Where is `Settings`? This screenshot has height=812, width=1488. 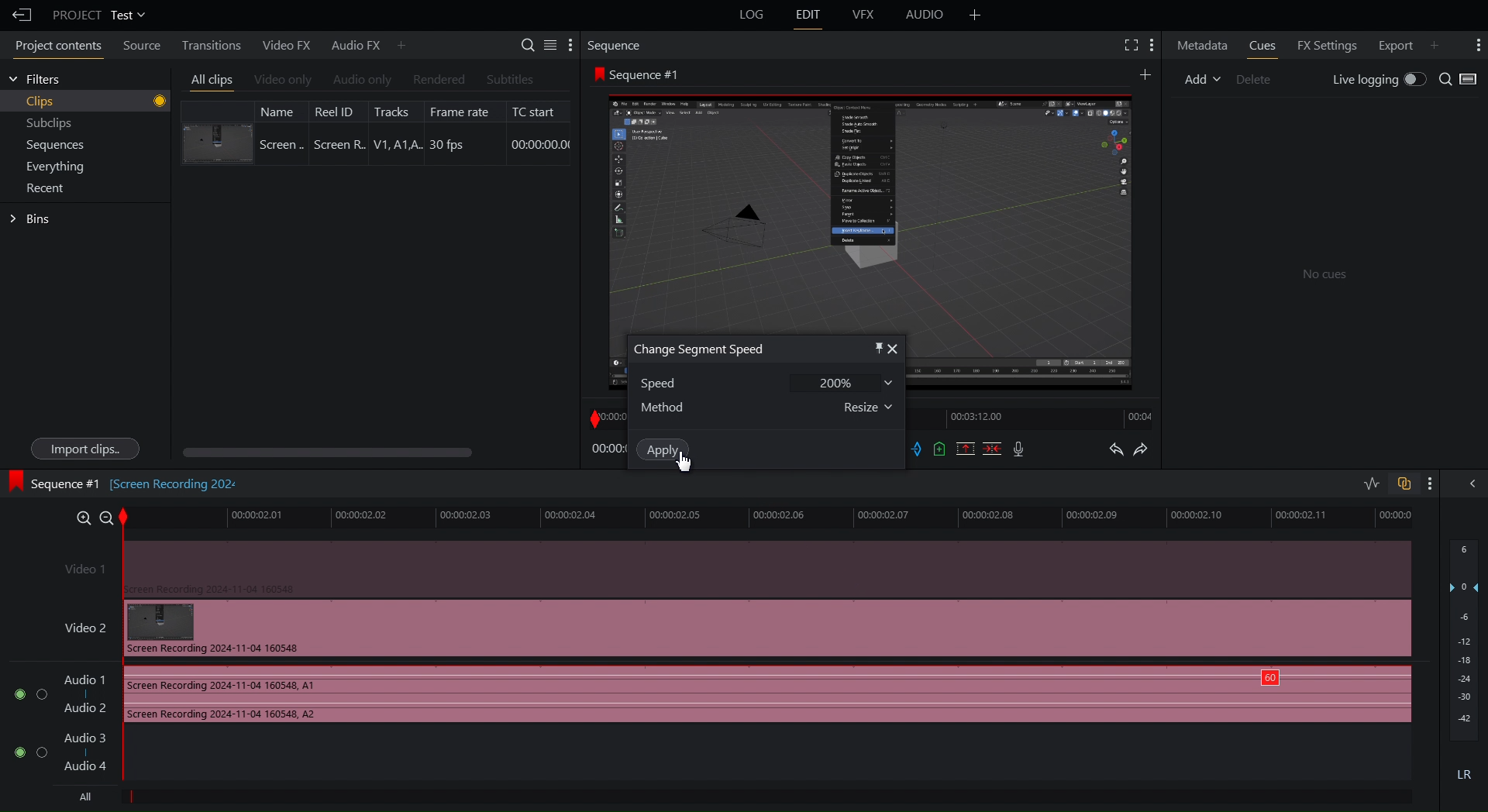
Settings is located at coordinates (548, 44).